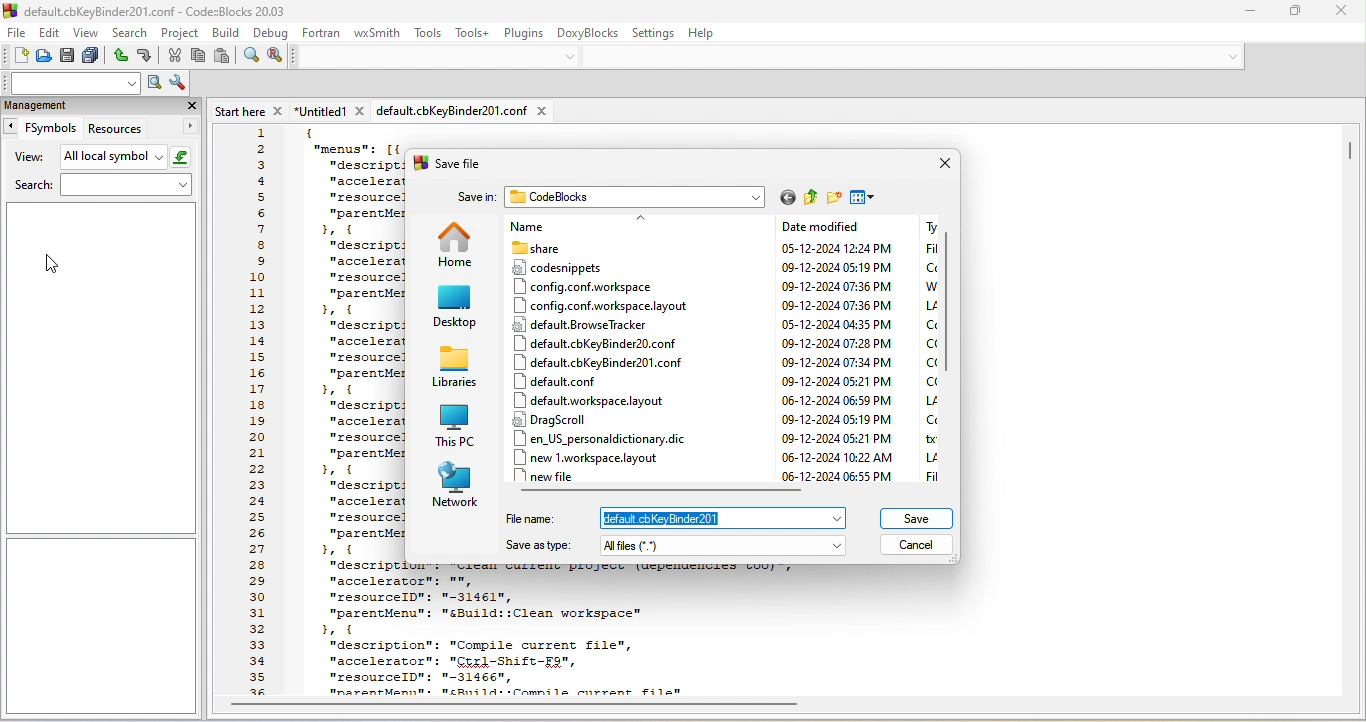 The width and height of the screenshot is (1366, 722). I want to click on line numbering, so click(259, 413).